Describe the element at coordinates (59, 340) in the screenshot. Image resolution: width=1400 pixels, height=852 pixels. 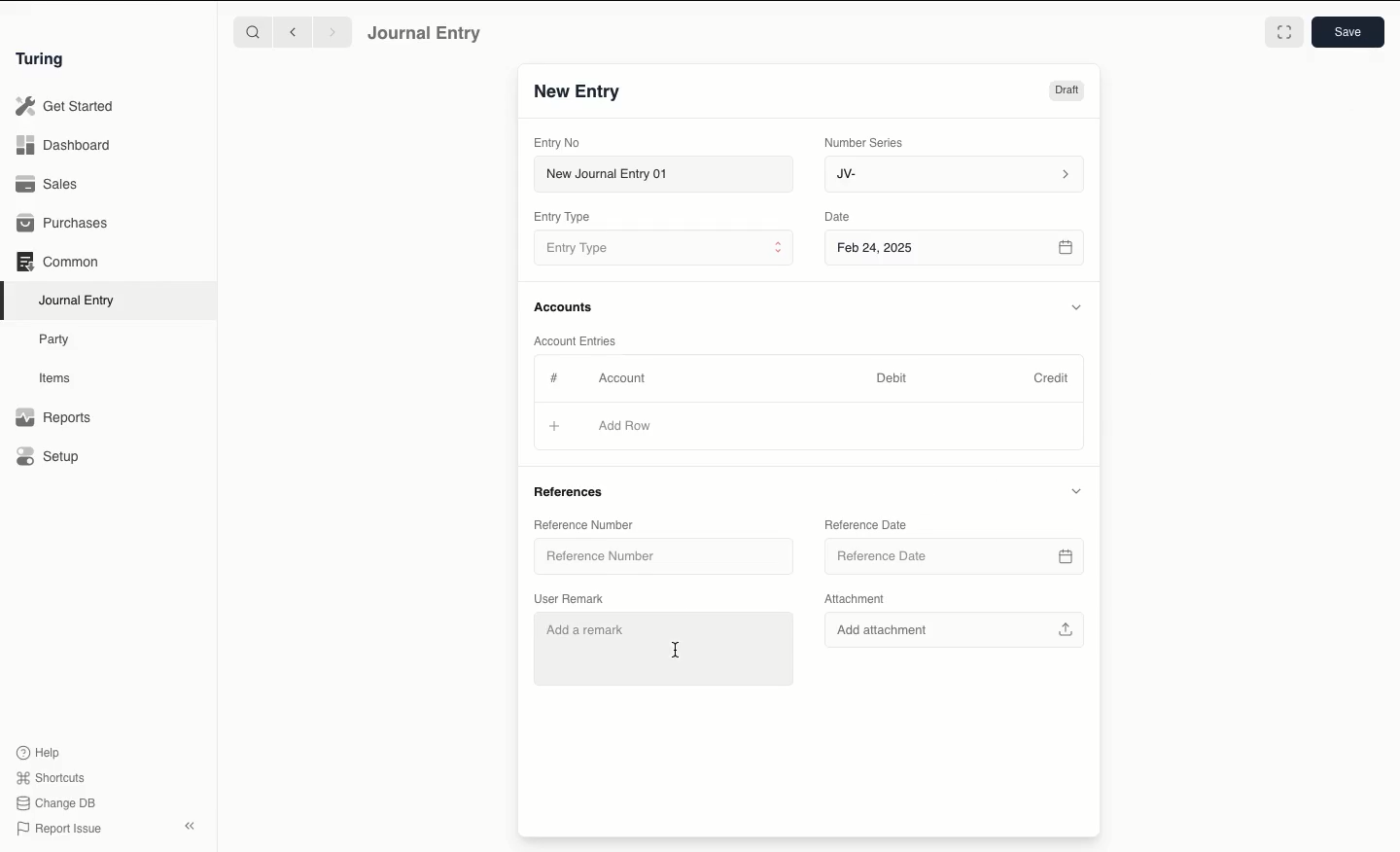
I see `Party` at that location.